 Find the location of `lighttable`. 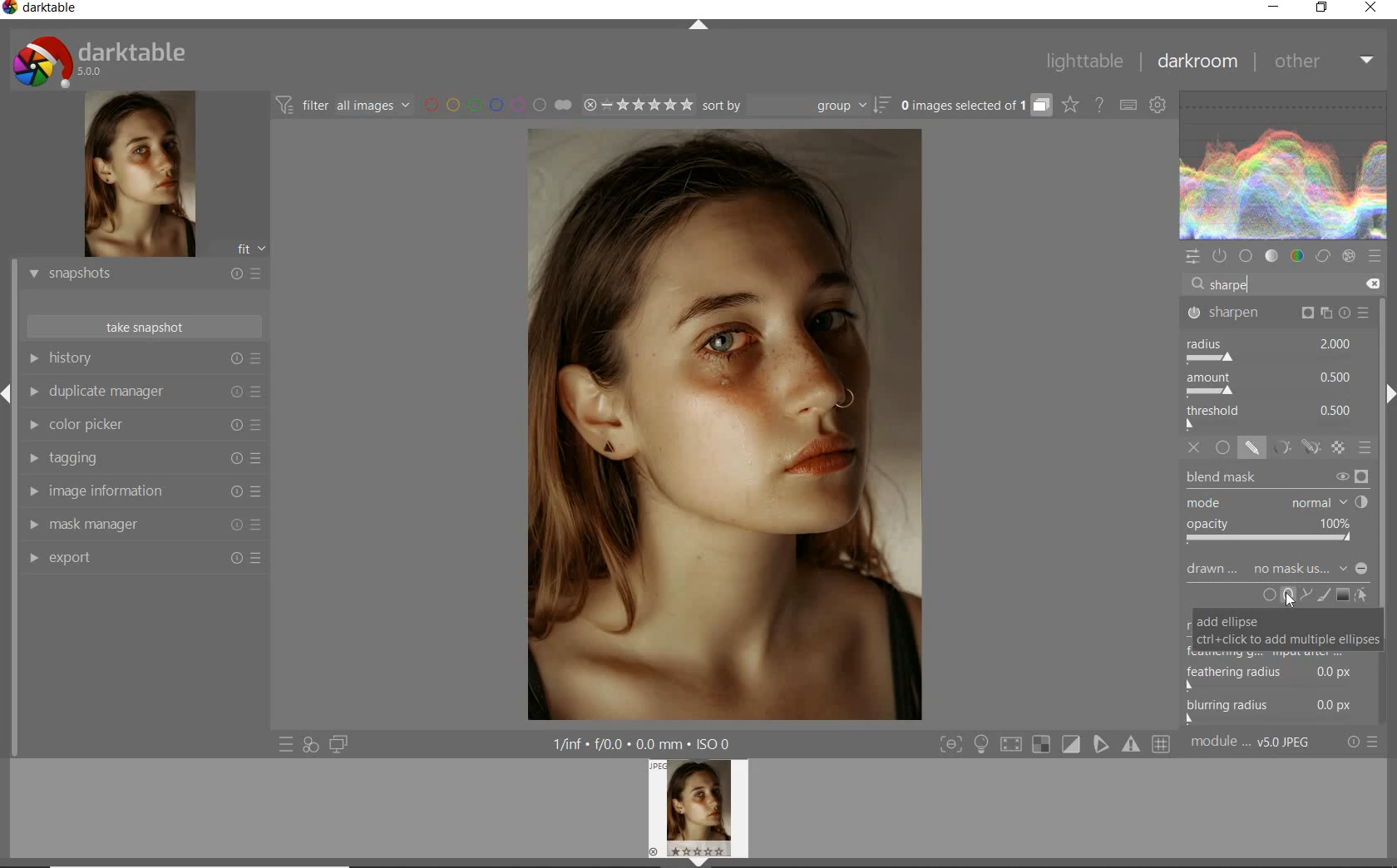

lighttable is located at coordinates (1085, 62).